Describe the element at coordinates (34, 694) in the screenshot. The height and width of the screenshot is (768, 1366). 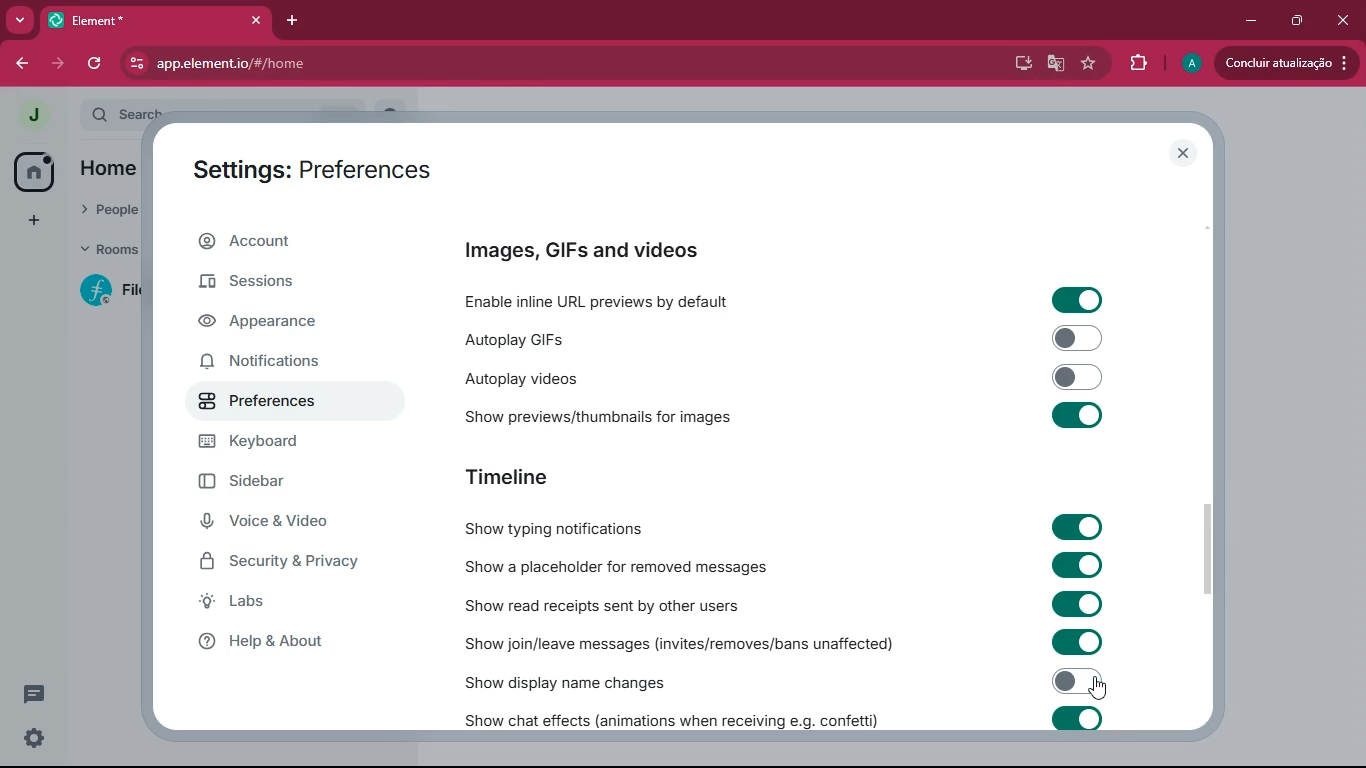
I see `threads` at that location.